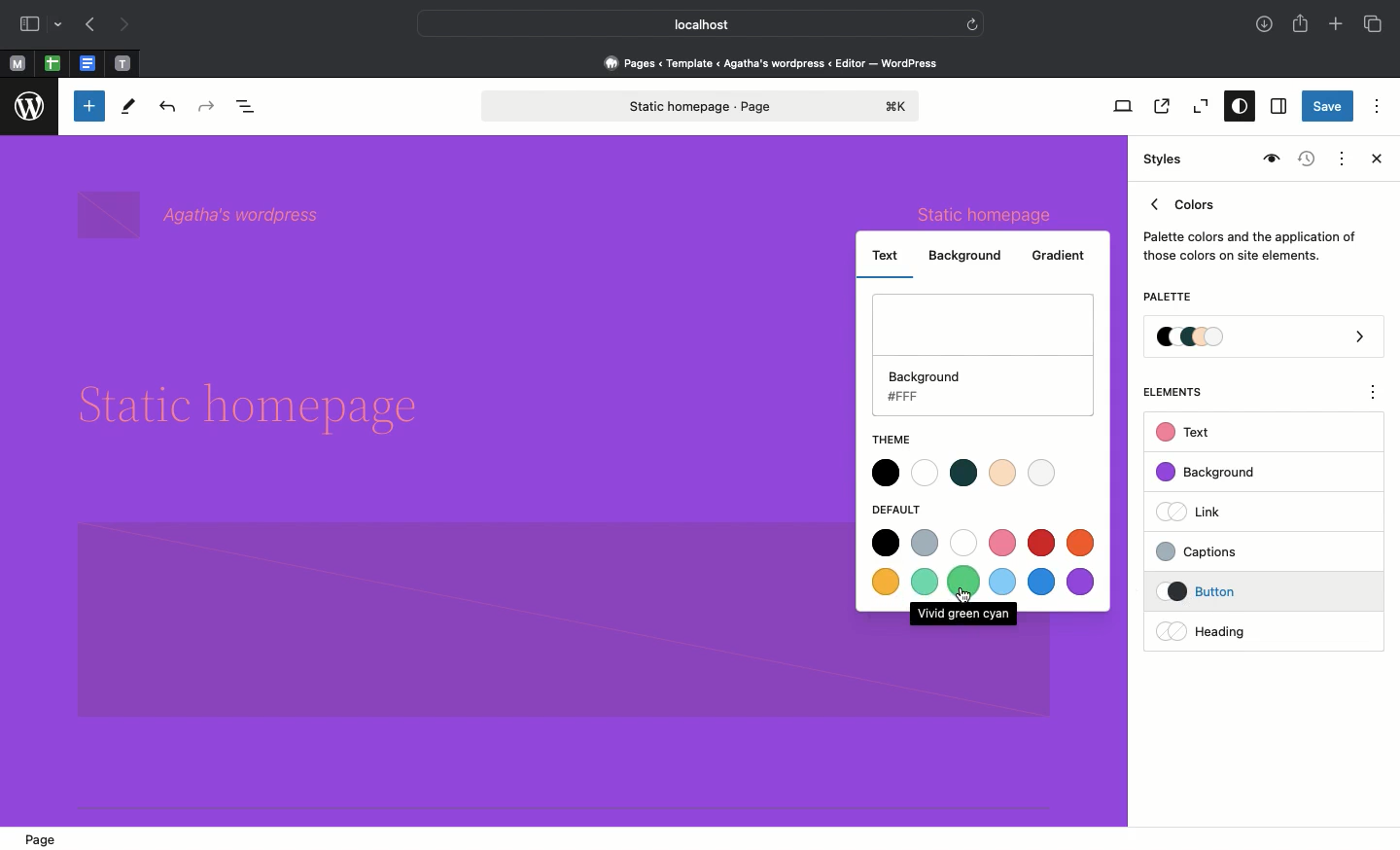 The width and height of the screenshot is (1400, 850). I want to click on Theme color, so click(964, 475).